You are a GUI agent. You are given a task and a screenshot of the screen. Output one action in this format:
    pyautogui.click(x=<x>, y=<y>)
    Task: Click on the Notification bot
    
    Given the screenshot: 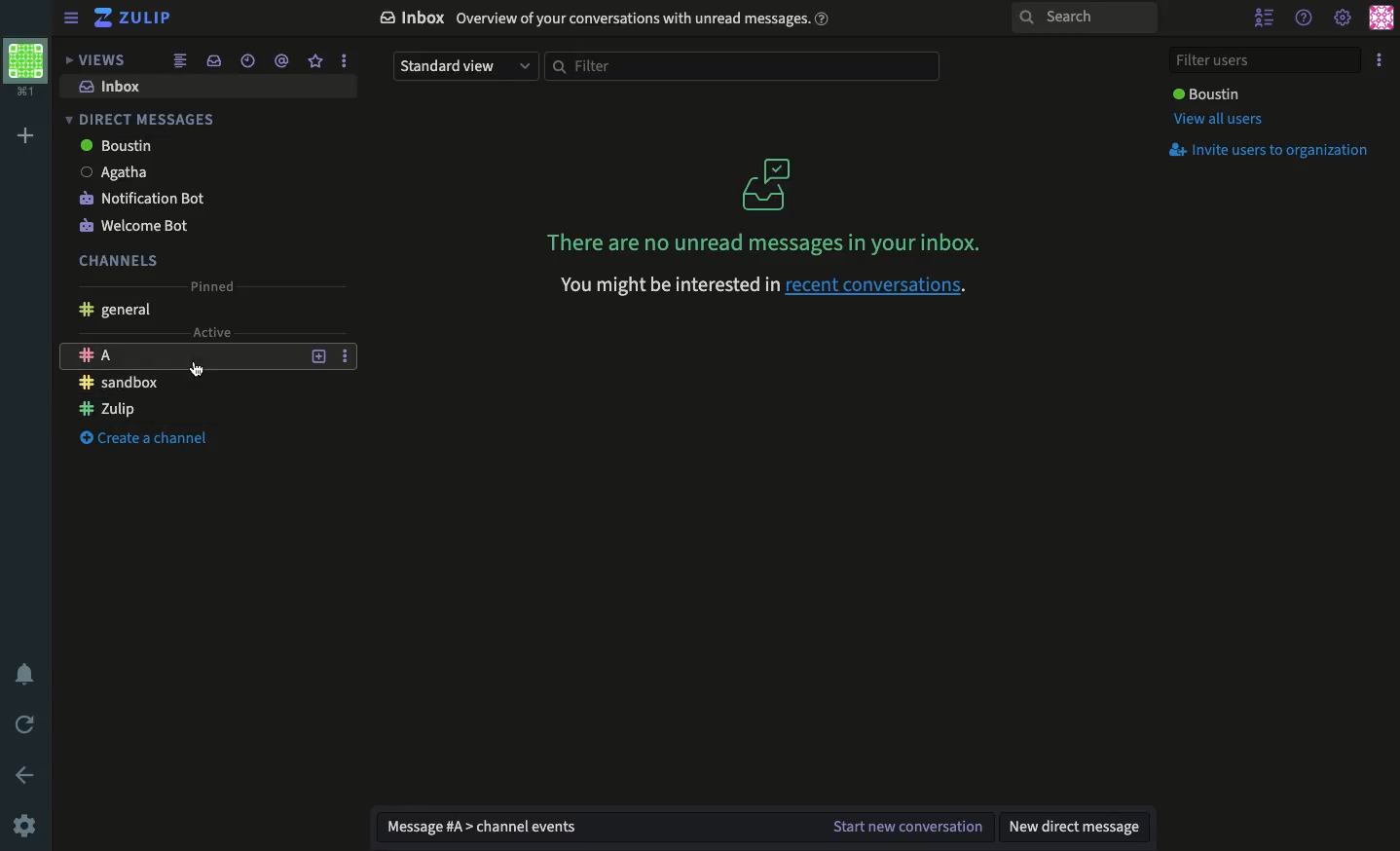 What is the action you would take?
    pyautogui.click(x=148, y=199)
    